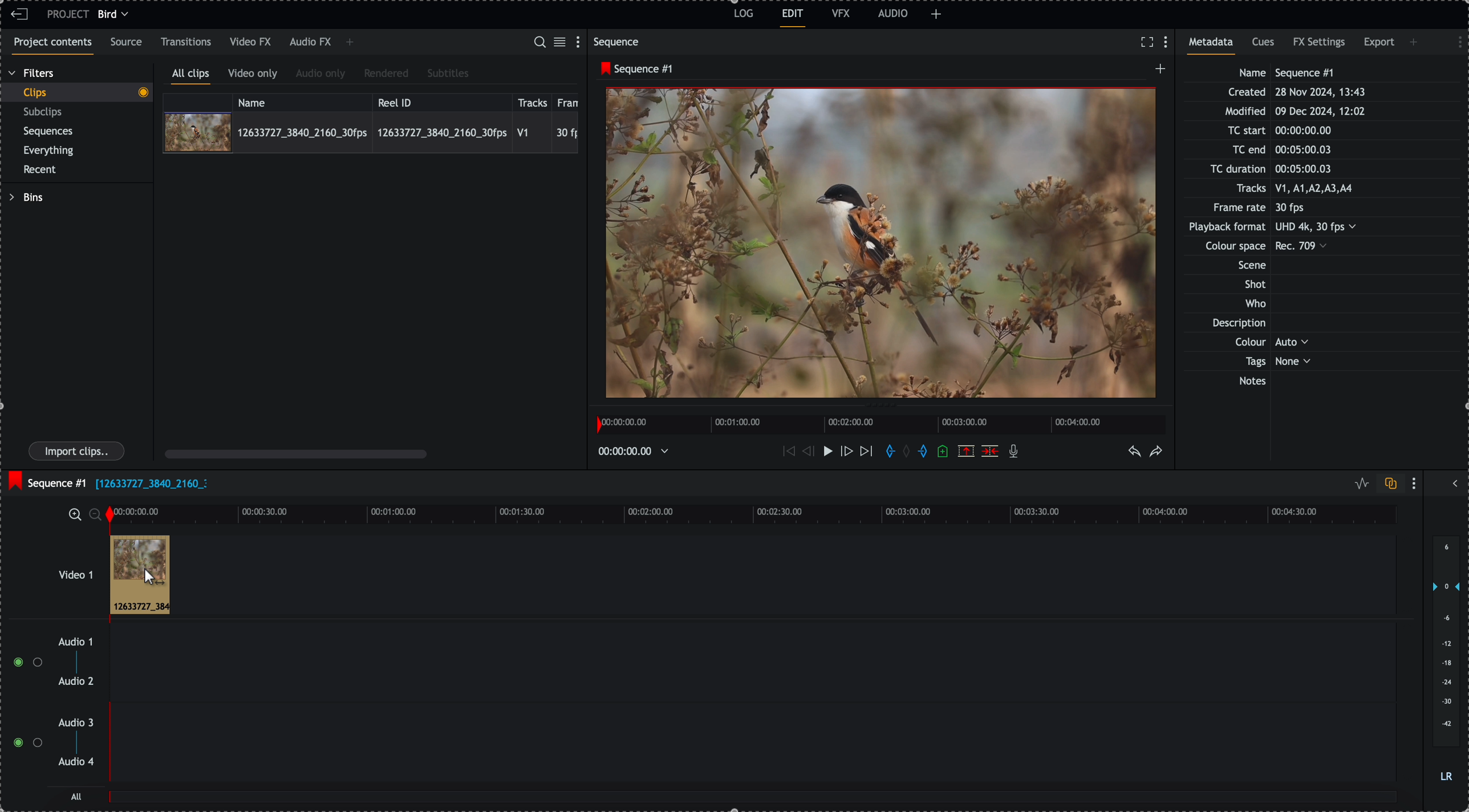  I want to click on file, so click(151, 485).